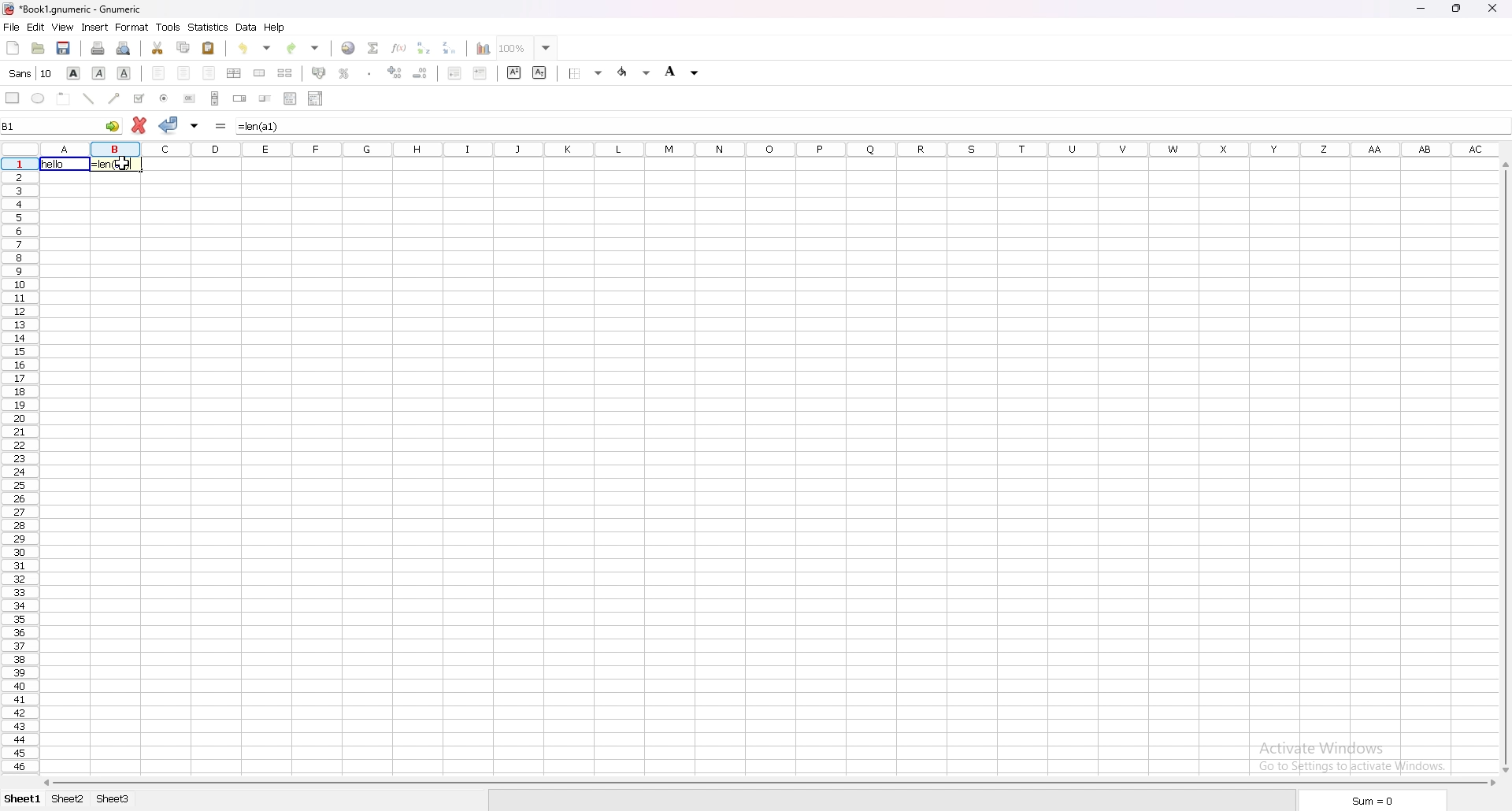  I want to click on superscript, so click(514, 72).